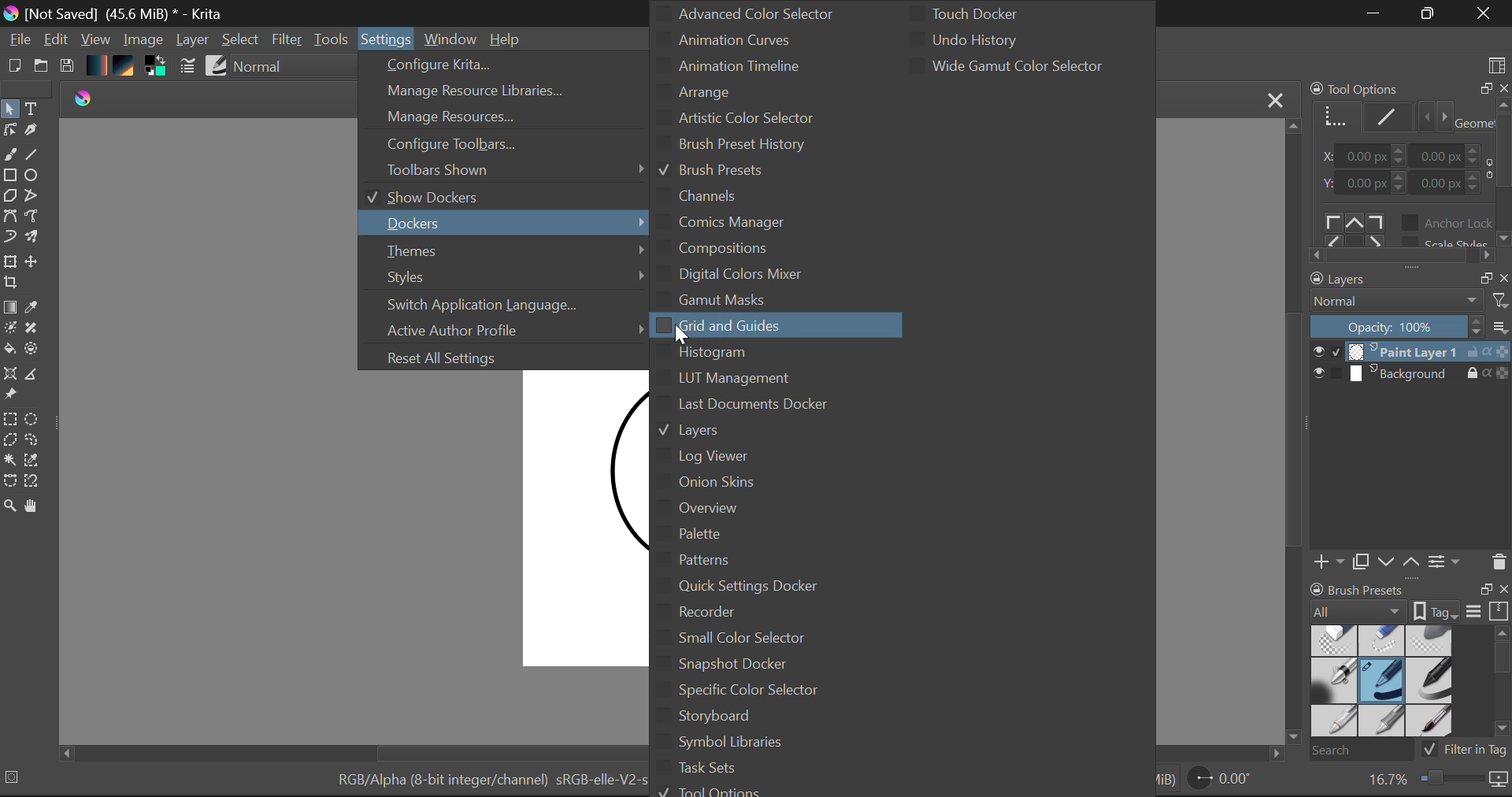 This screenshot has height=797, width=1512. Describe the element at coordinates (1010, 67) in the screenshot. I see `Wide Gamut Color Selector` at that location.